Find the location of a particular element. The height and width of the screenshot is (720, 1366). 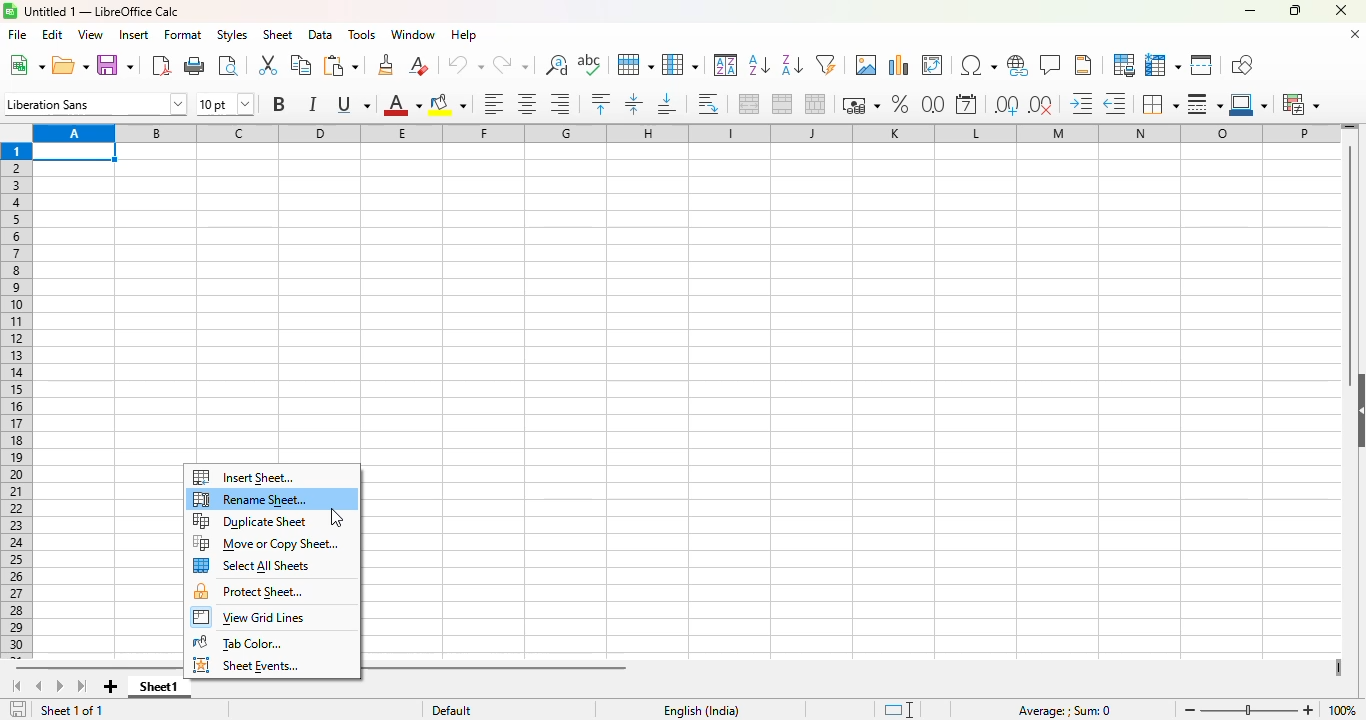

sheet is located at coordinates (277, 34).